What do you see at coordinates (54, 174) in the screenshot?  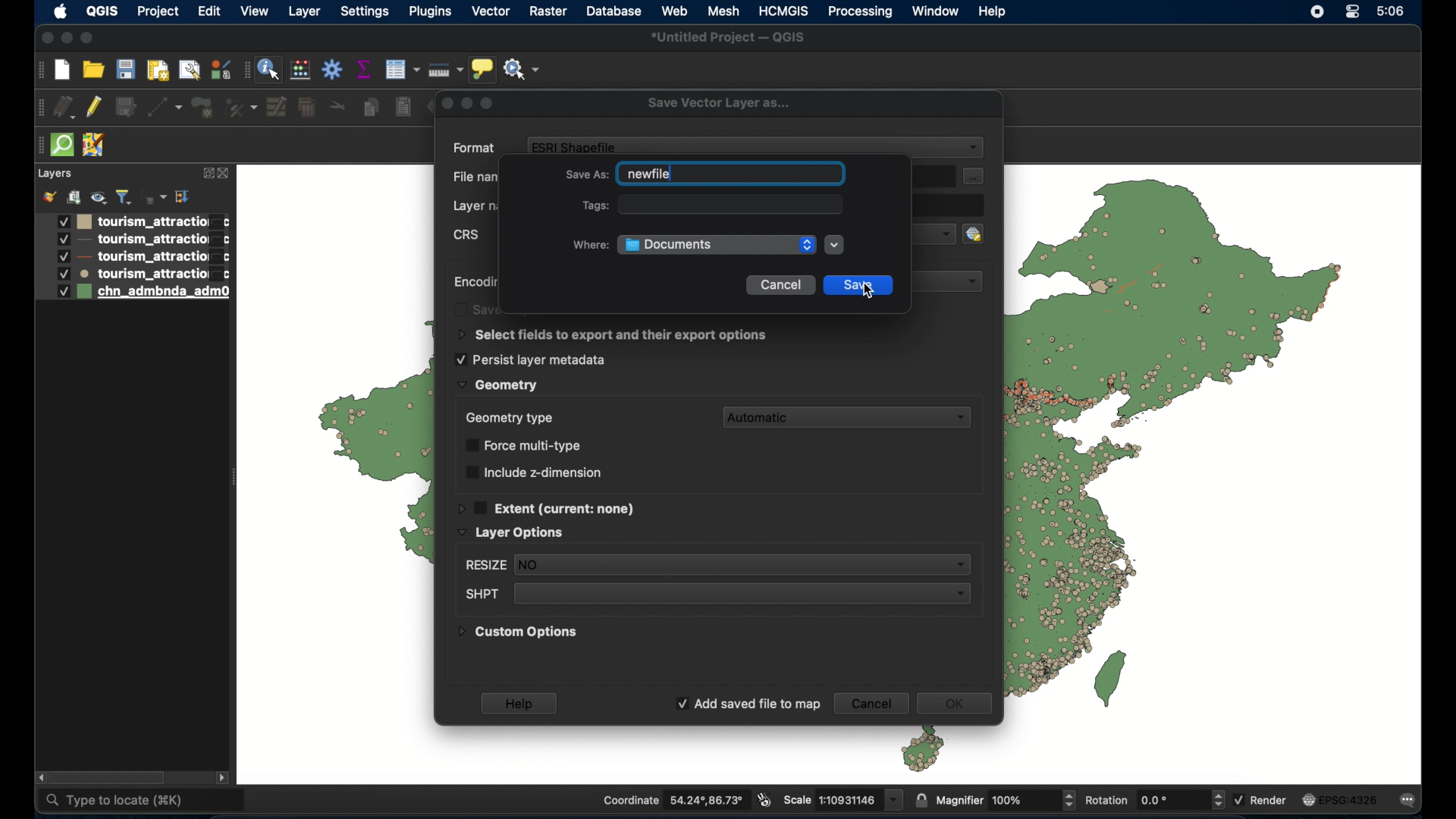 I see `layer` at bounding box center [54, 174].